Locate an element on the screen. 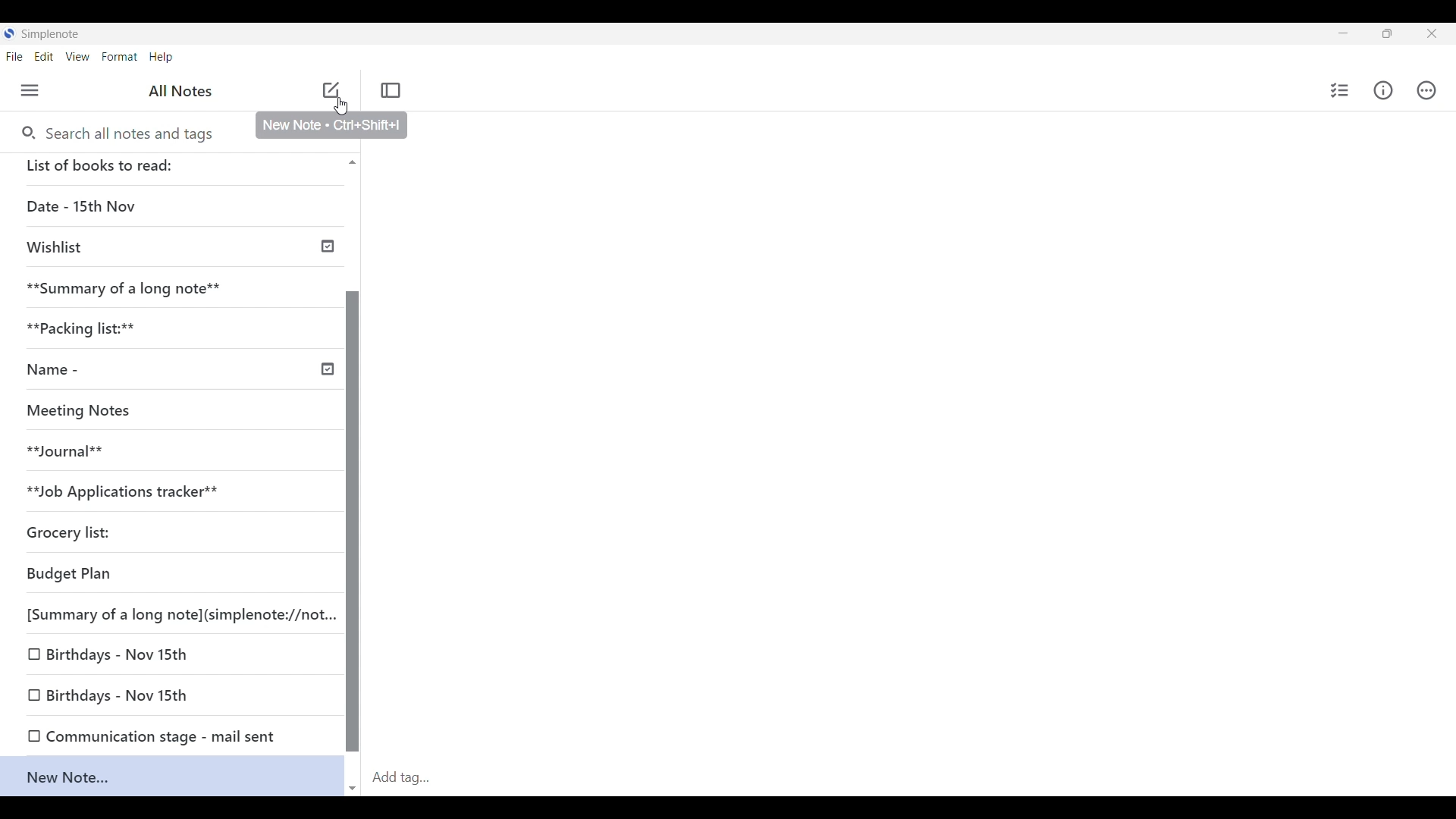 This screenshot has width=1456, height=819. Budget Plan is located at coordinates (90, 573).